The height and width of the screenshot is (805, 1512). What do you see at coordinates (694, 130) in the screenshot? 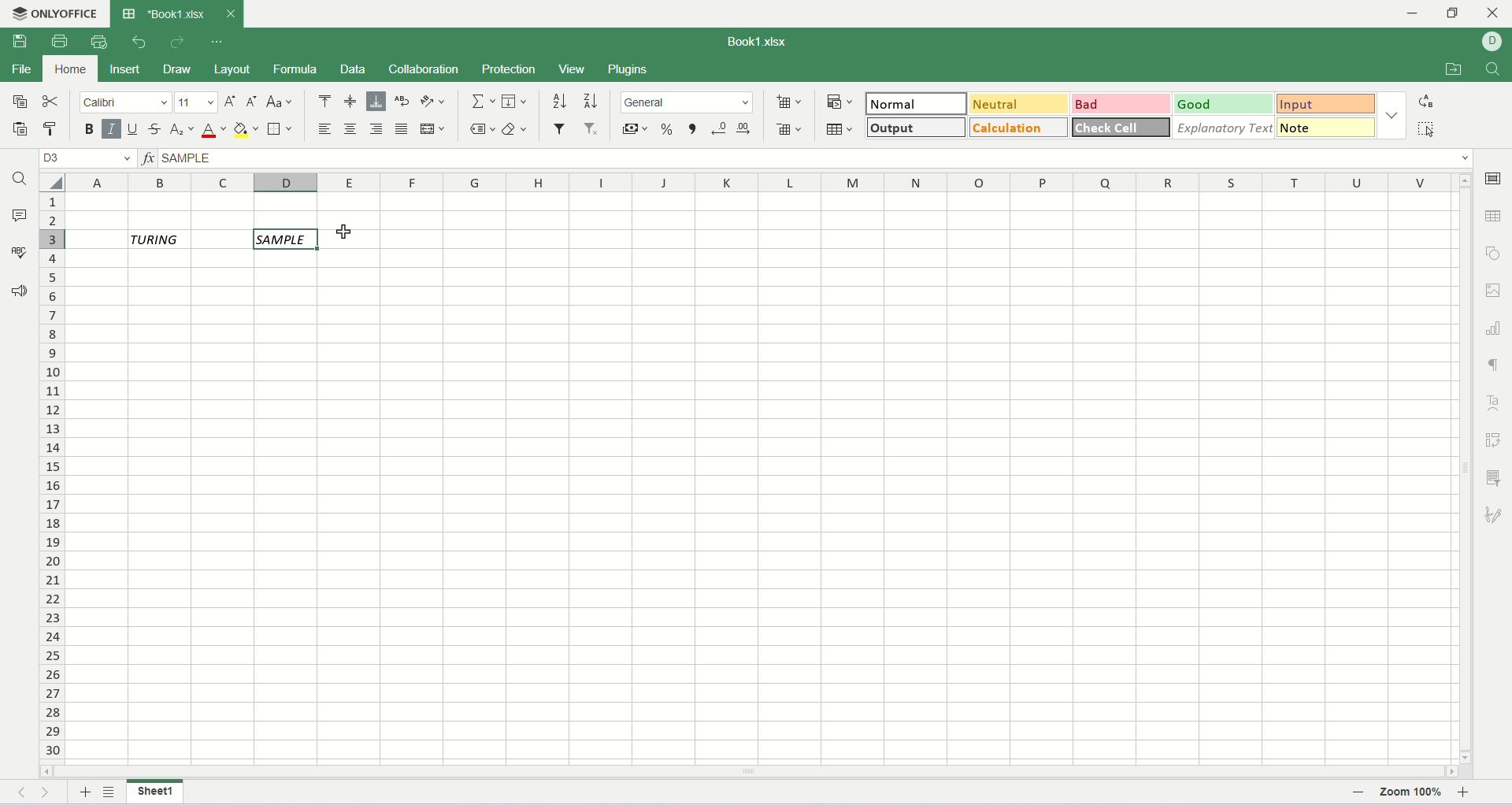
I see `comma style` at bounding box center [694, 130].